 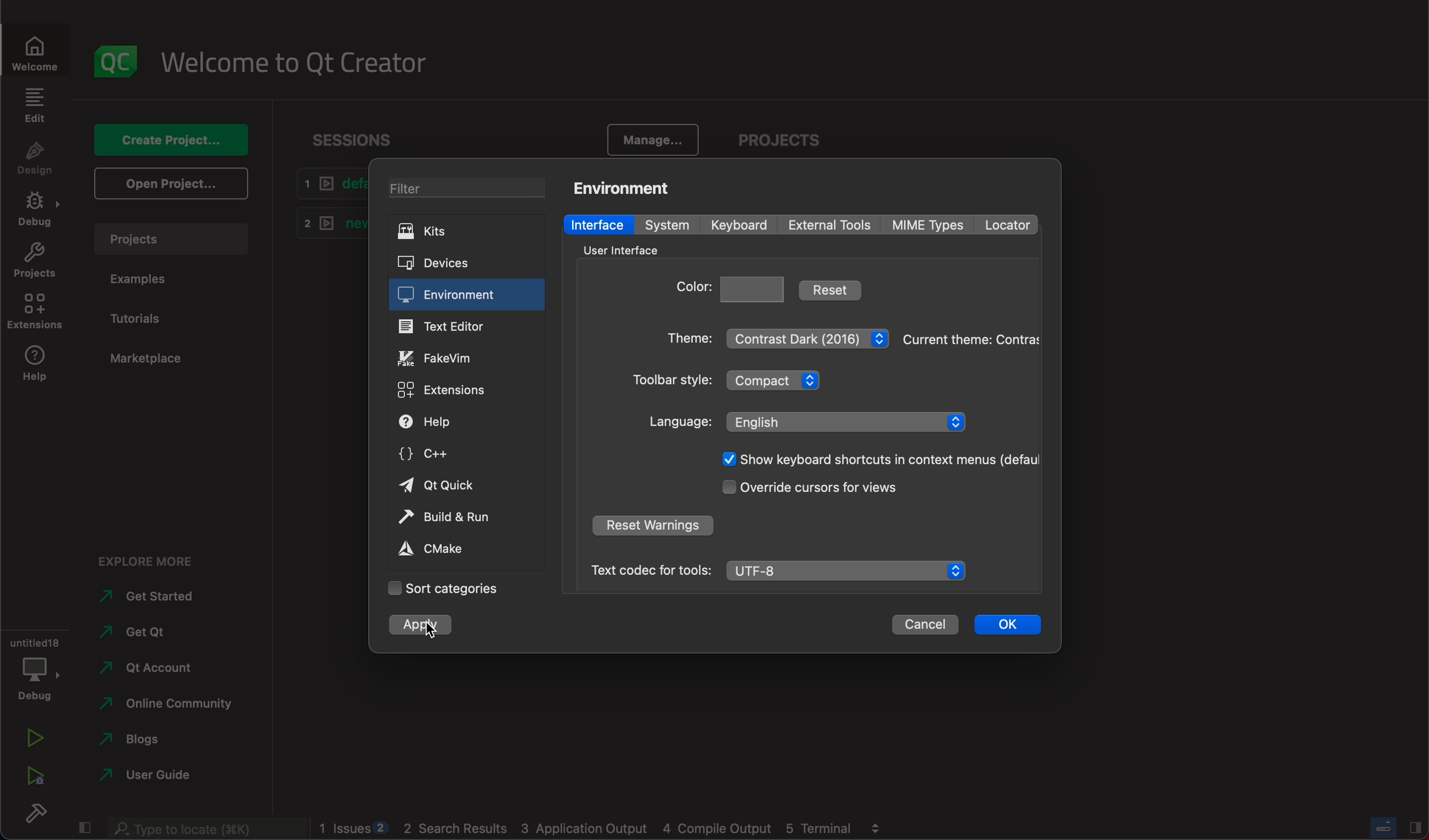 What do you see at coordinates (441, 487) in the screenshot?
I see `qt quick` at bounding box center [441, 487].